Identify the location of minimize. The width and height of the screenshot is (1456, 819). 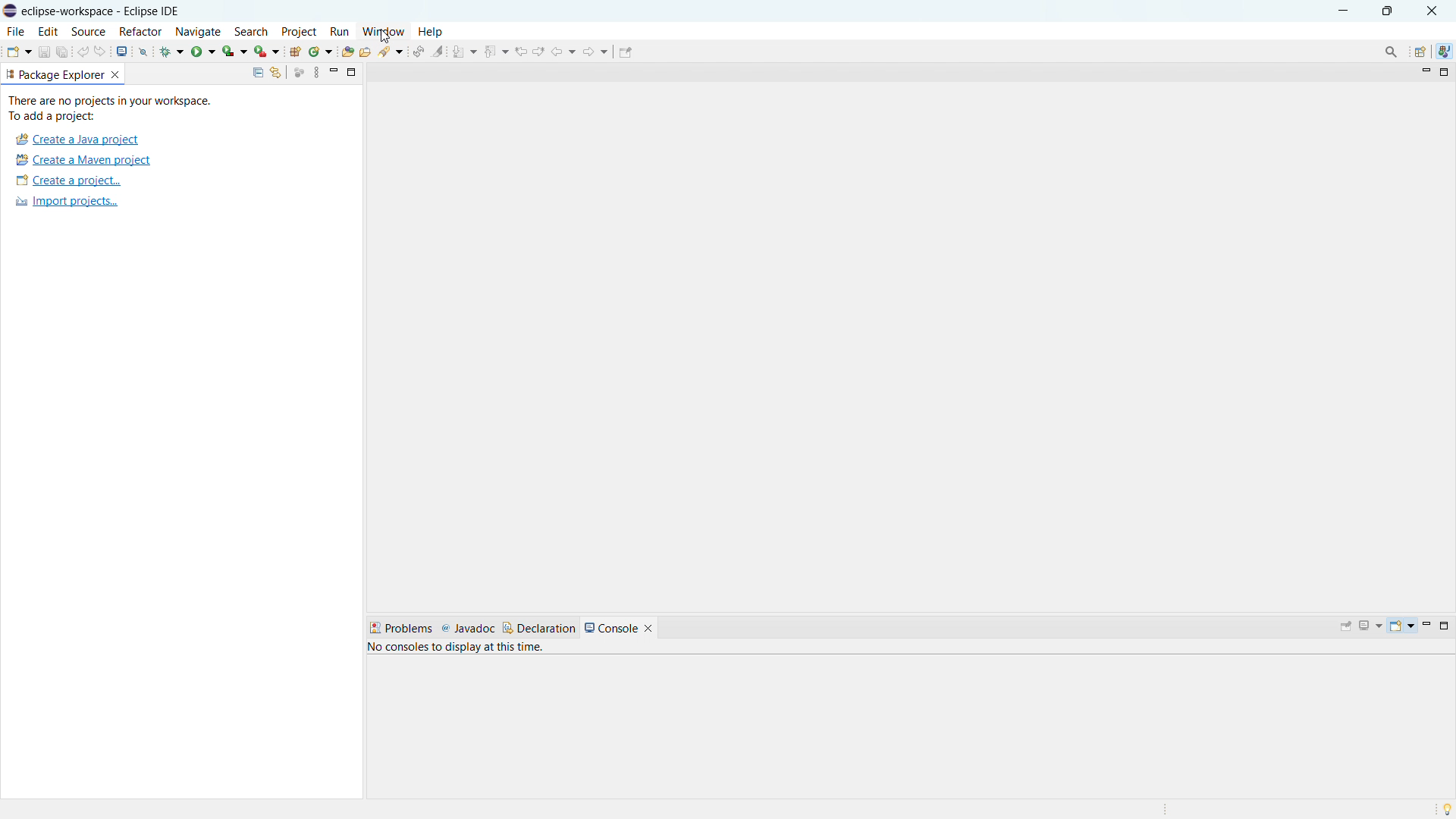
(1341, 11).